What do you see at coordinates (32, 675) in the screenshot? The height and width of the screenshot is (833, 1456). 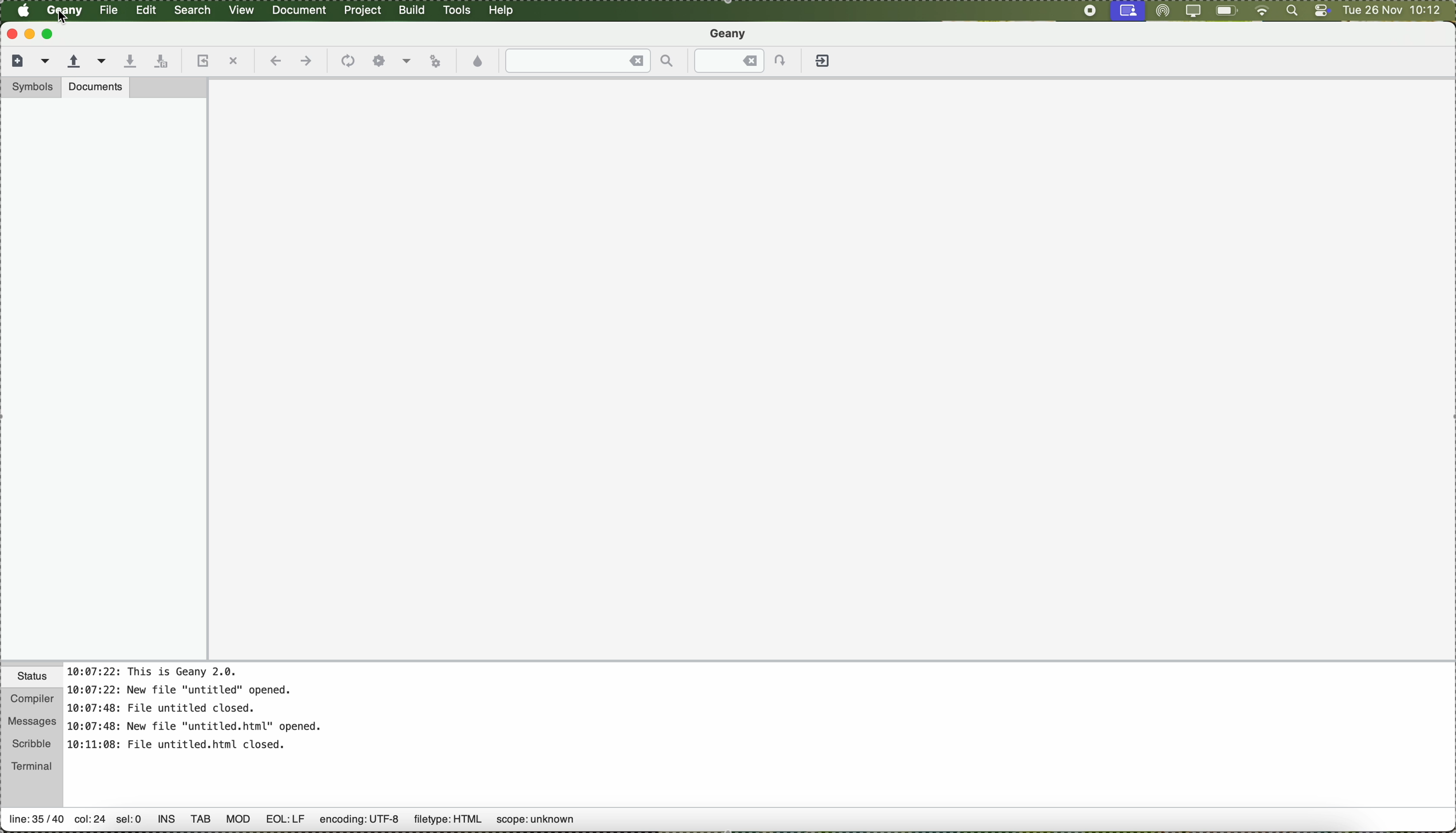 I see `status` at bounding box center [32, 675].